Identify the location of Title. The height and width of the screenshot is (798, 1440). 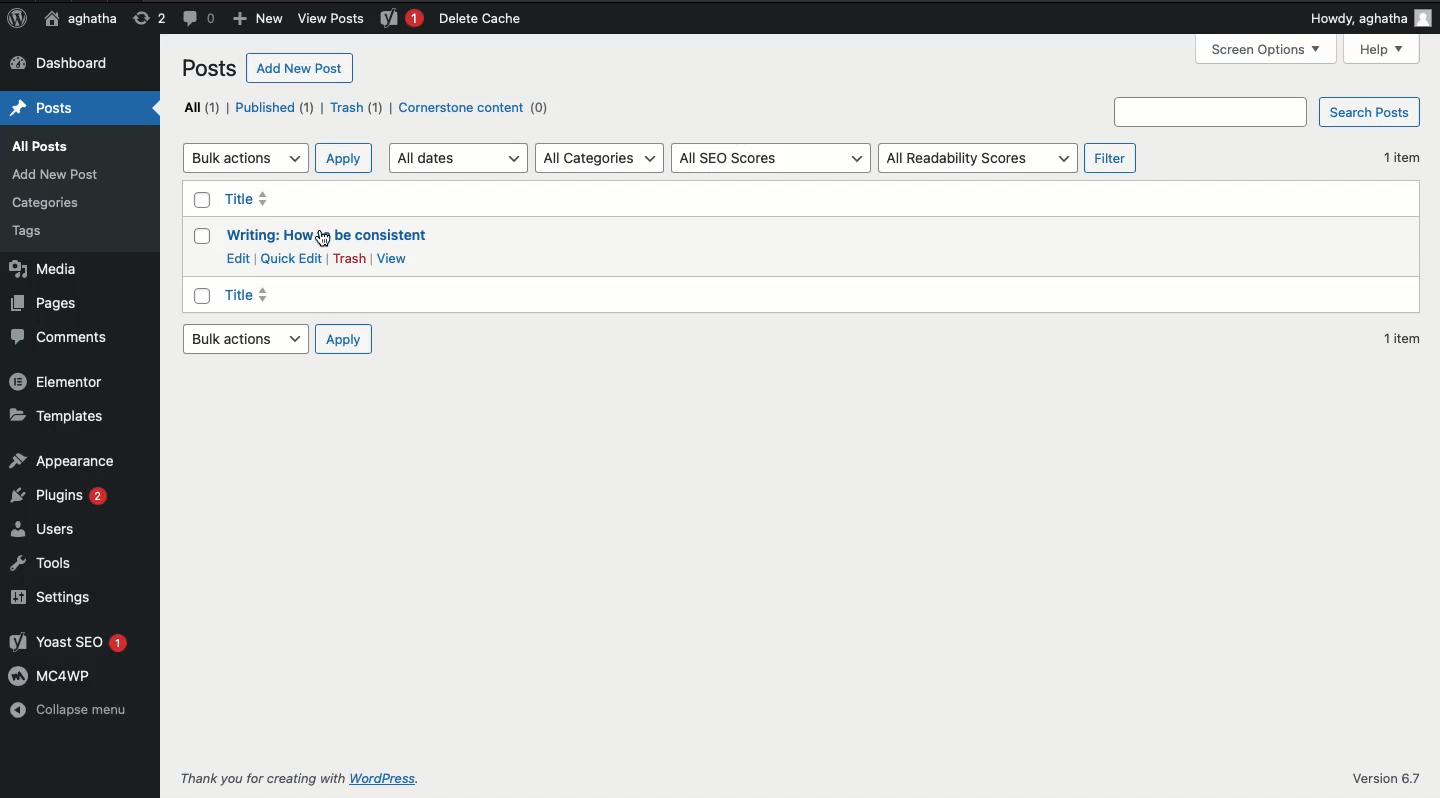
(248, 198).